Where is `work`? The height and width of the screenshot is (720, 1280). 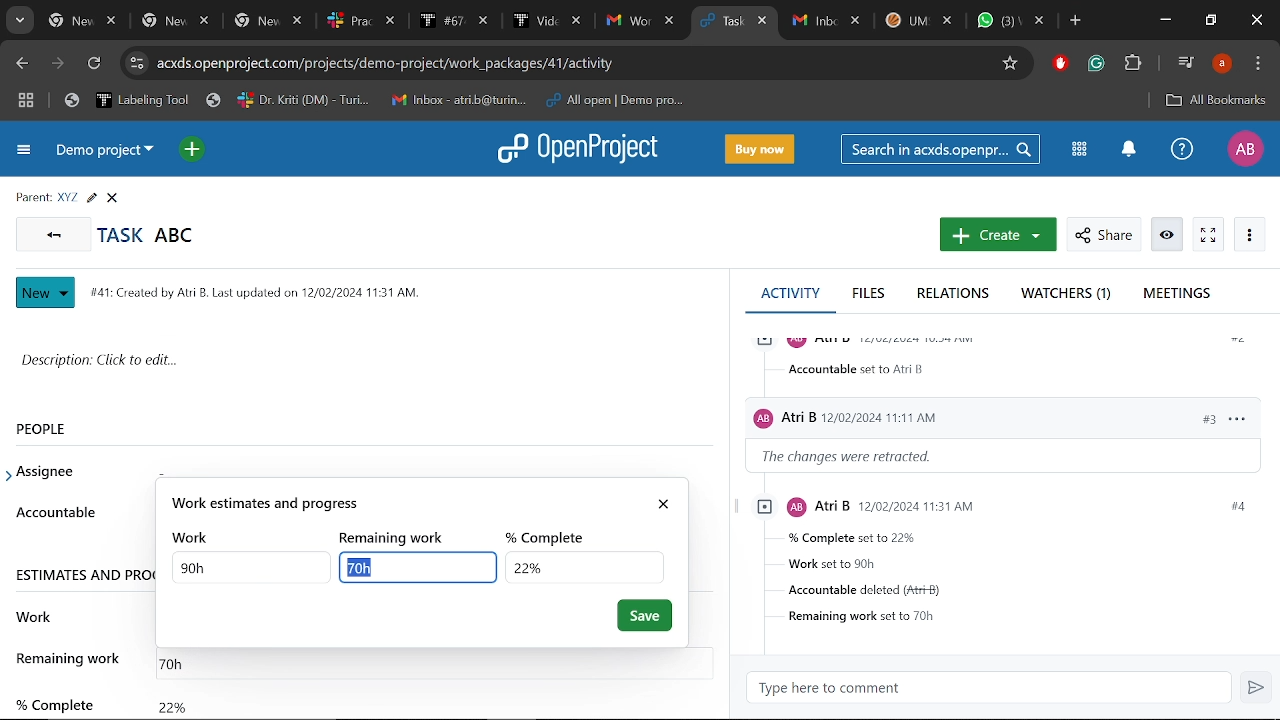
work is located at coordinates (194, 537).